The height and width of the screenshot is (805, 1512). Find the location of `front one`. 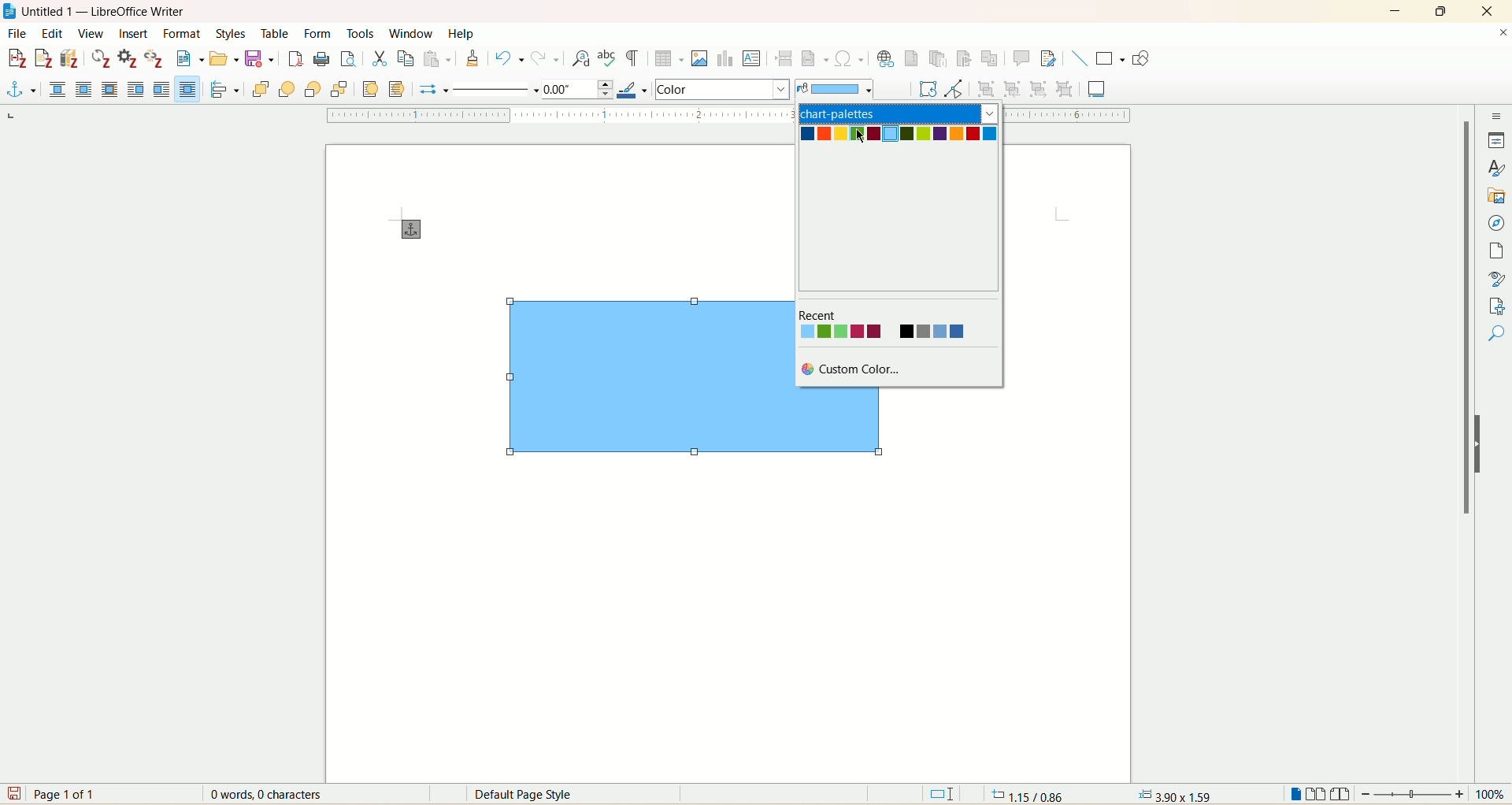

front one is located at coordinates (289, 89).